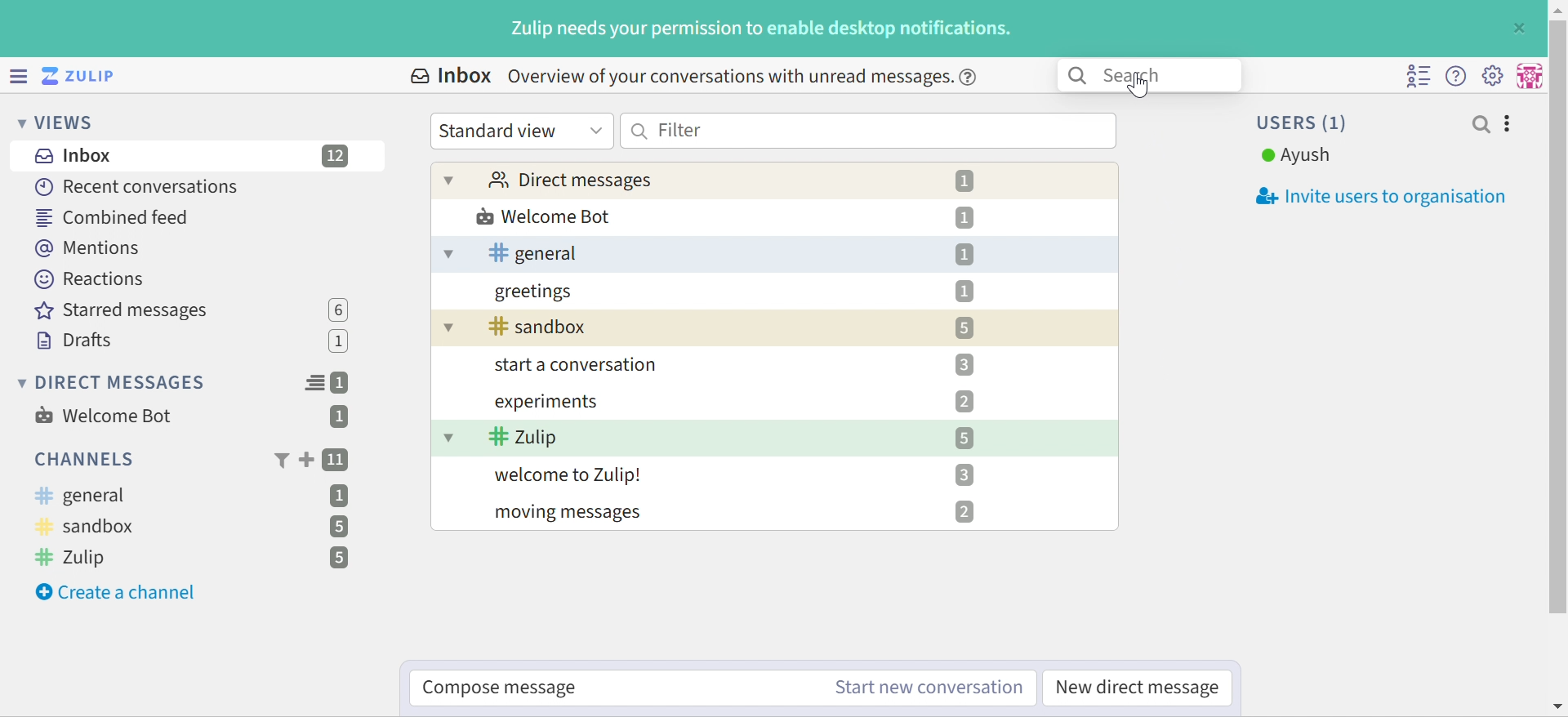  I want to click on 5, so click(964, 438).